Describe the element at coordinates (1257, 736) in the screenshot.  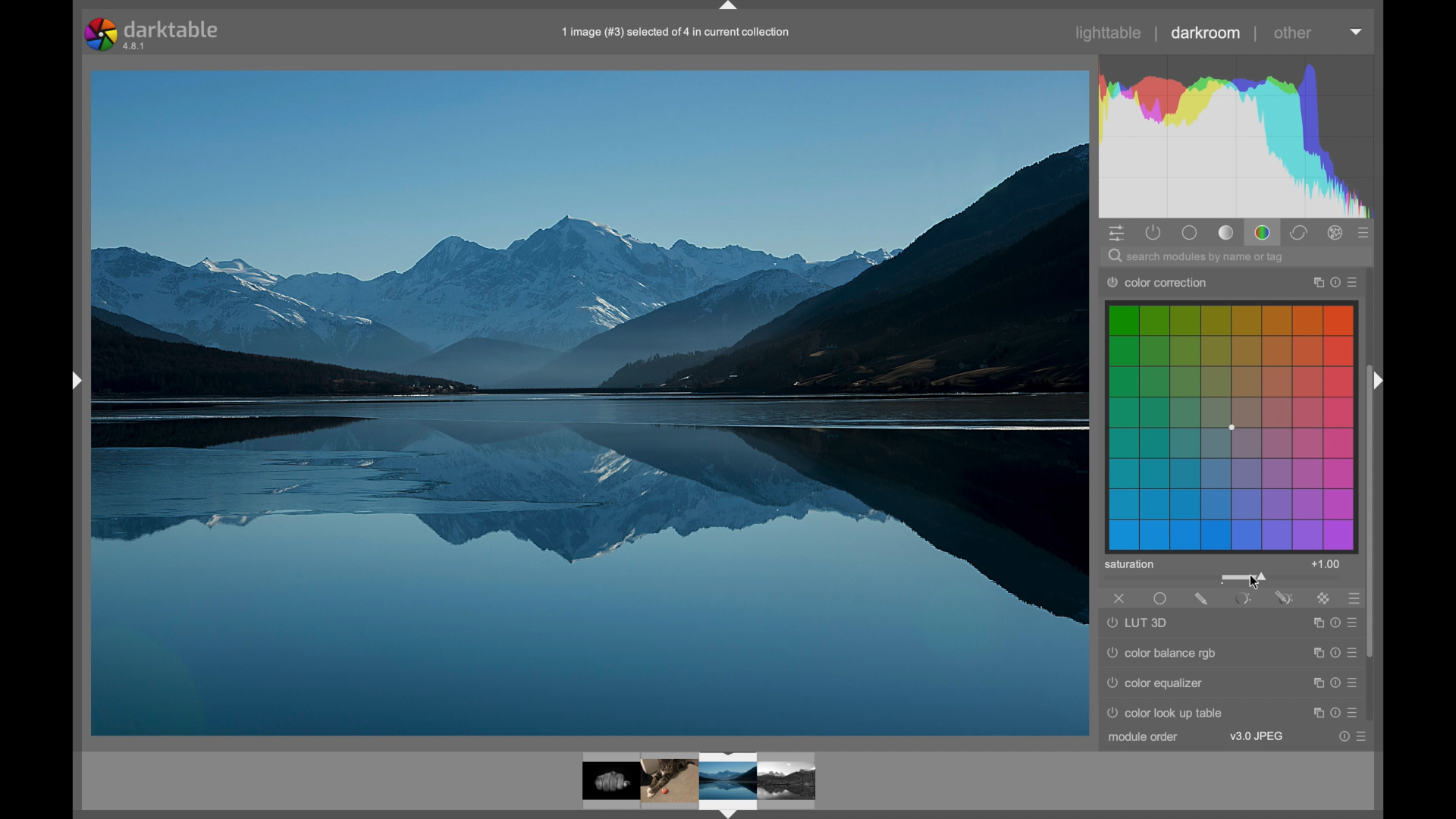
I see `v3.0 jpeg` at that location.